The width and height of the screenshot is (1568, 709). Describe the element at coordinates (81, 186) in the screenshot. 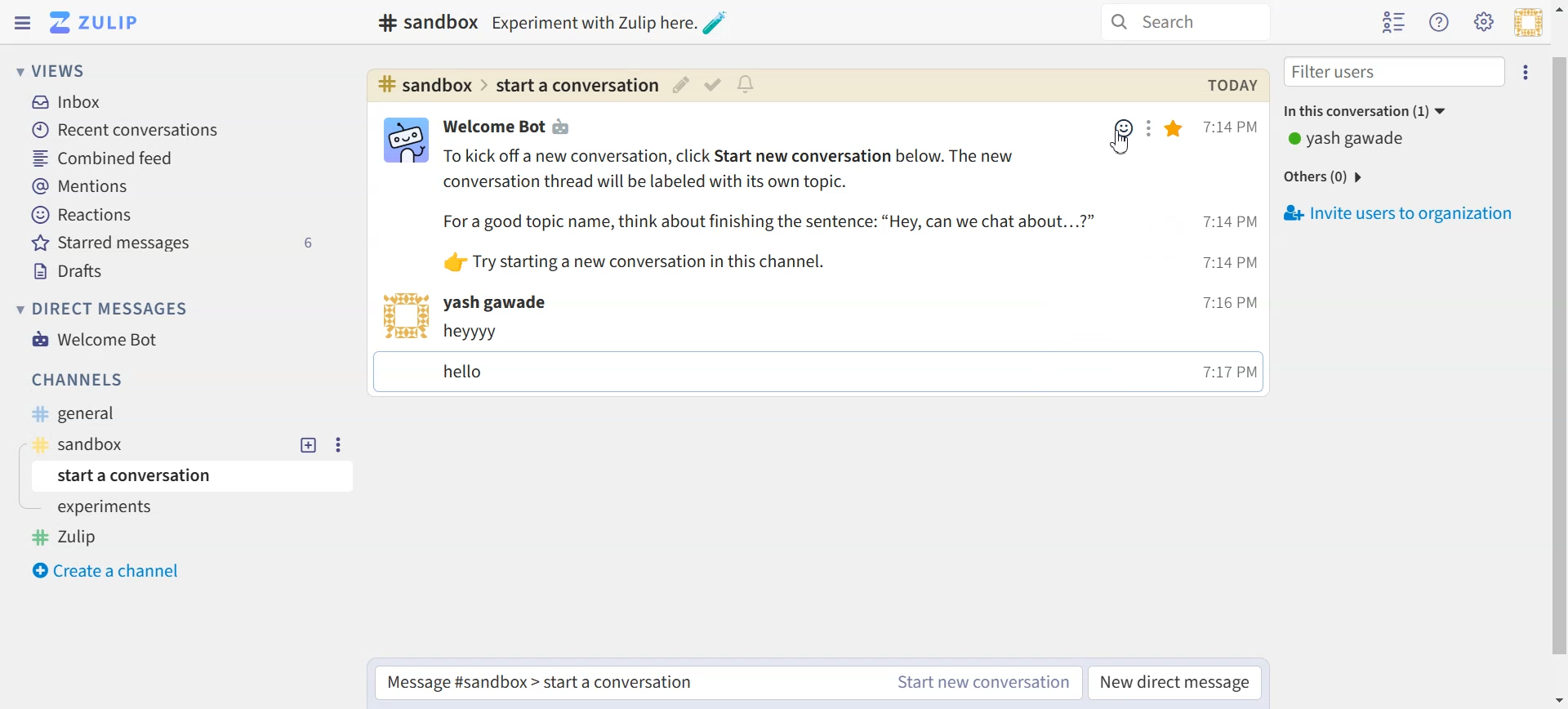

I see `Mentions` at that location.